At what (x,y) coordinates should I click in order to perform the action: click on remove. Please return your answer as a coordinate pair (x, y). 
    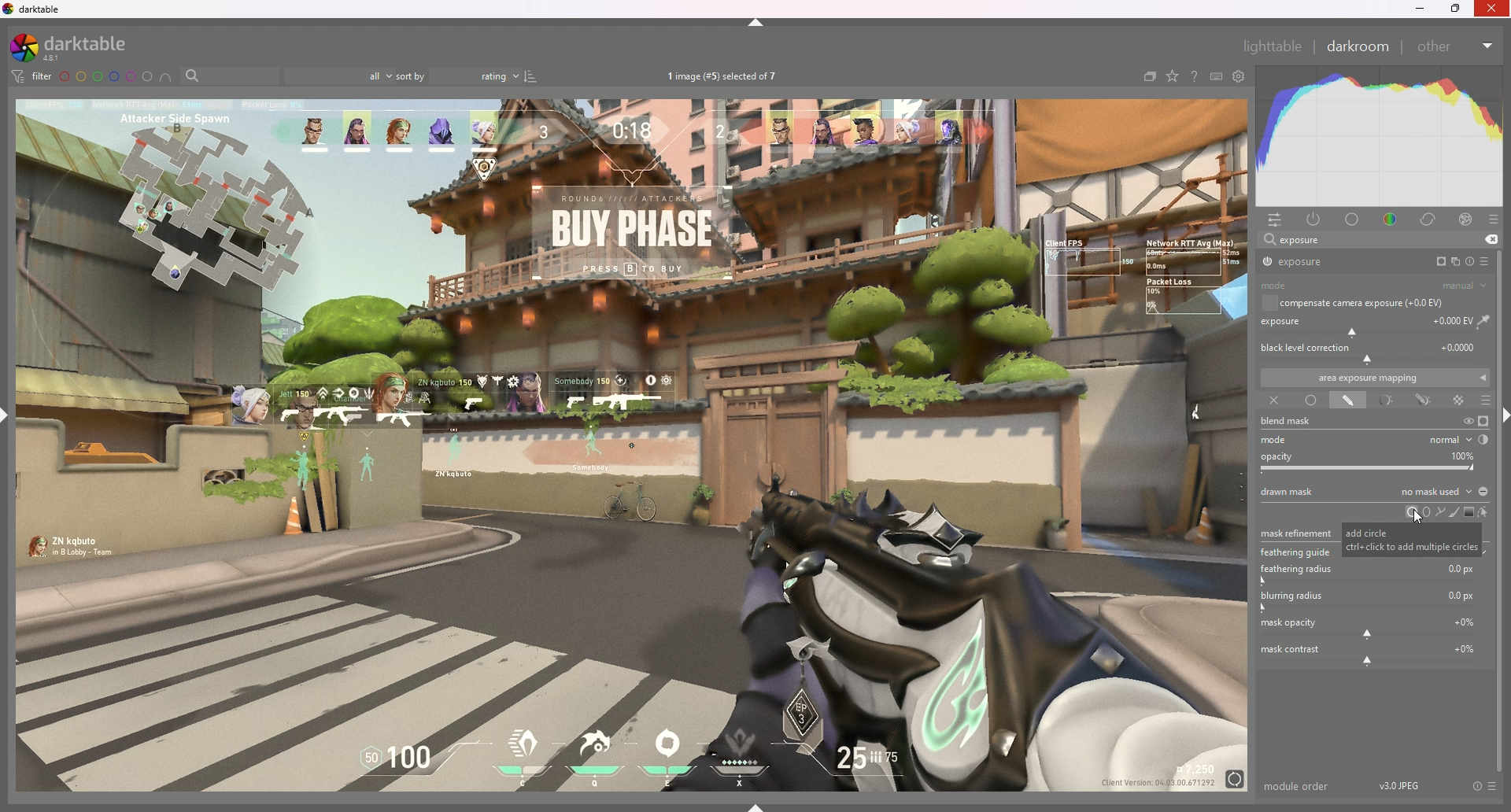
    Looking at the image, I should click on (1491, 240).